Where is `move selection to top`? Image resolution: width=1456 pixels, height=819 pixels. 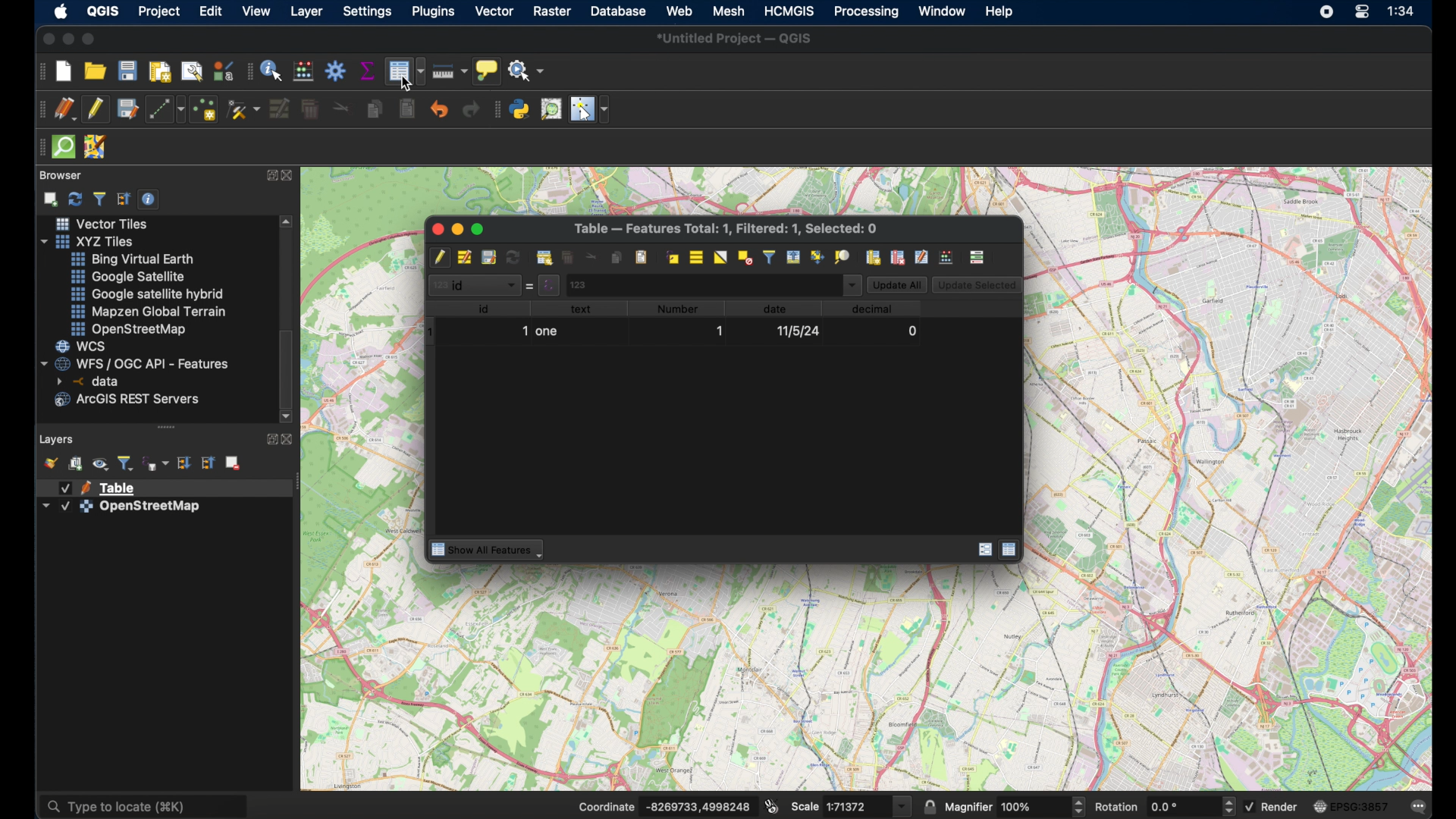
move selection to top is located at coordinates (791, 256).